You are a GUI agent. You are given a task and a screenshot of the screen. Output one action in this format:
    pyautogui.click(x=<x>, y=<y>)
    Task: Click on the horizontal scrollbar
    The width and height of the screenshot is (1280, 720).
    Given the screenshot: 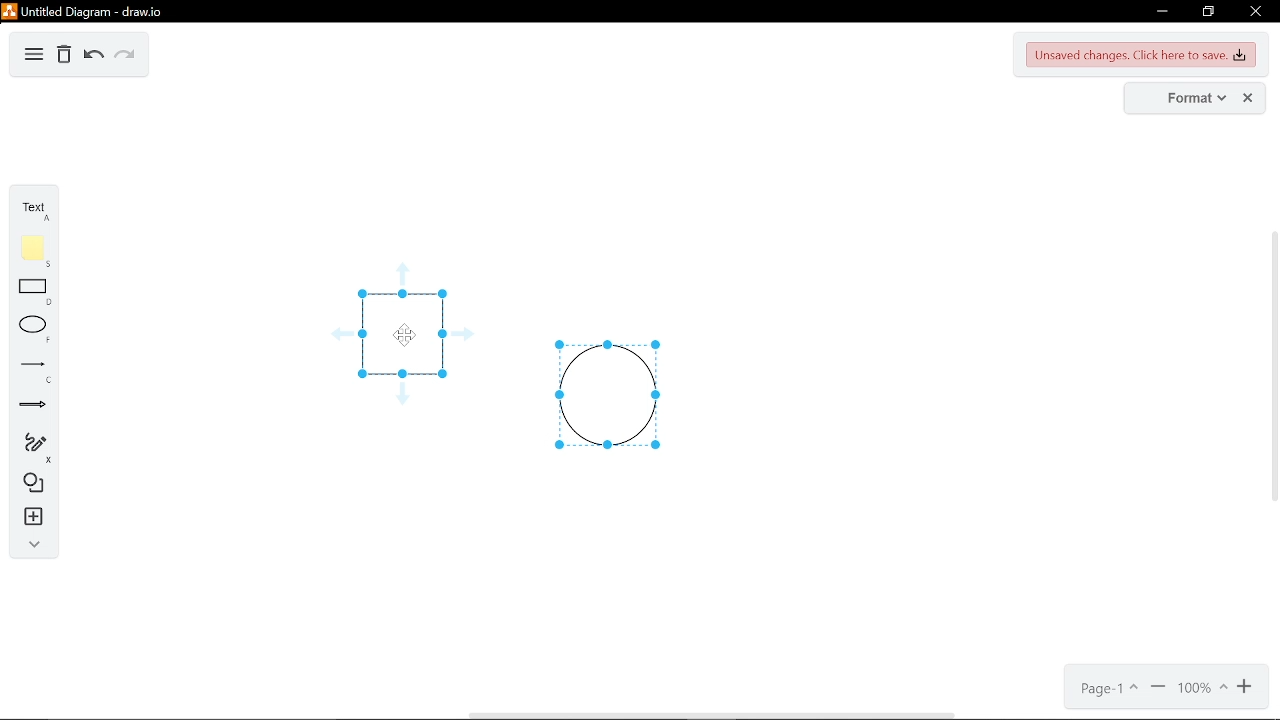 What is the action you would take?
    pyautogui.click(x=714, y=715)
    